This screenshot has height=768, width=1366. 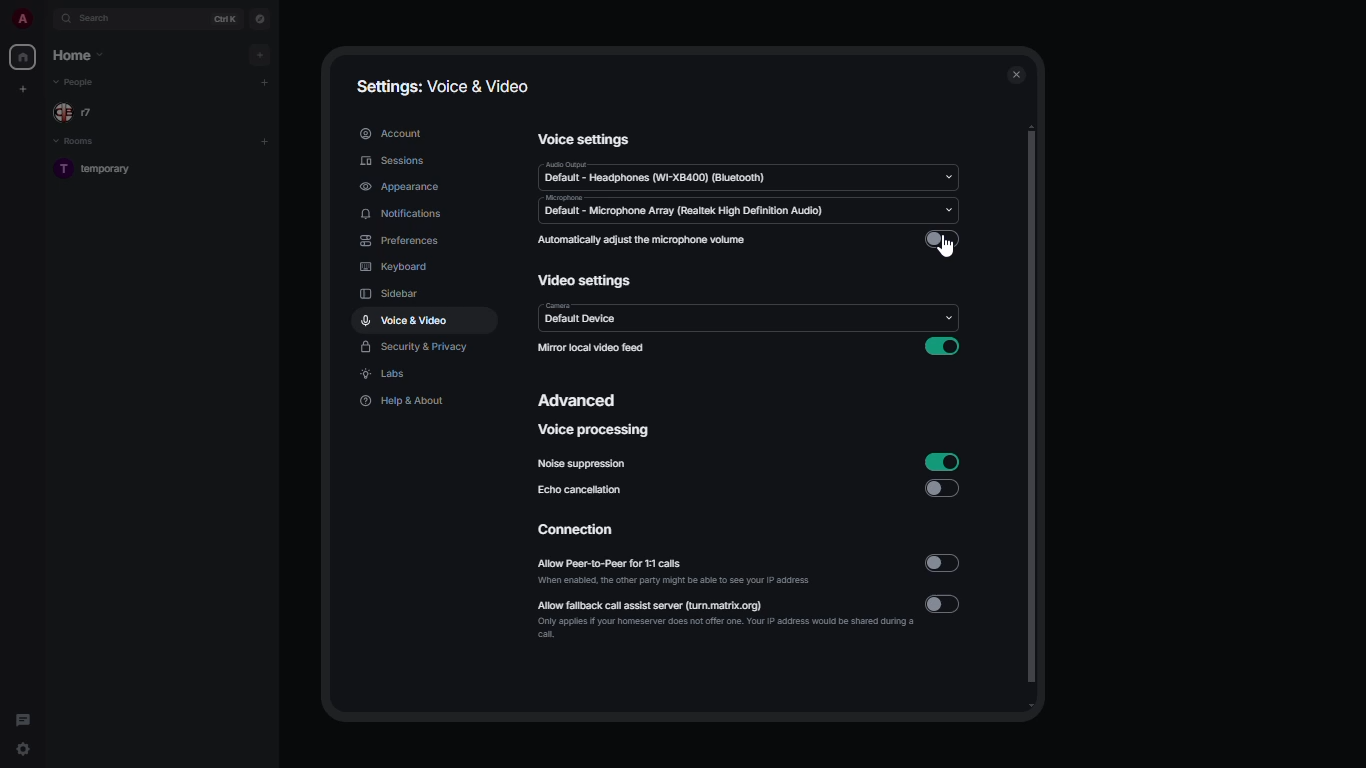 I want to click on drop down, so click(x=947, y=179).